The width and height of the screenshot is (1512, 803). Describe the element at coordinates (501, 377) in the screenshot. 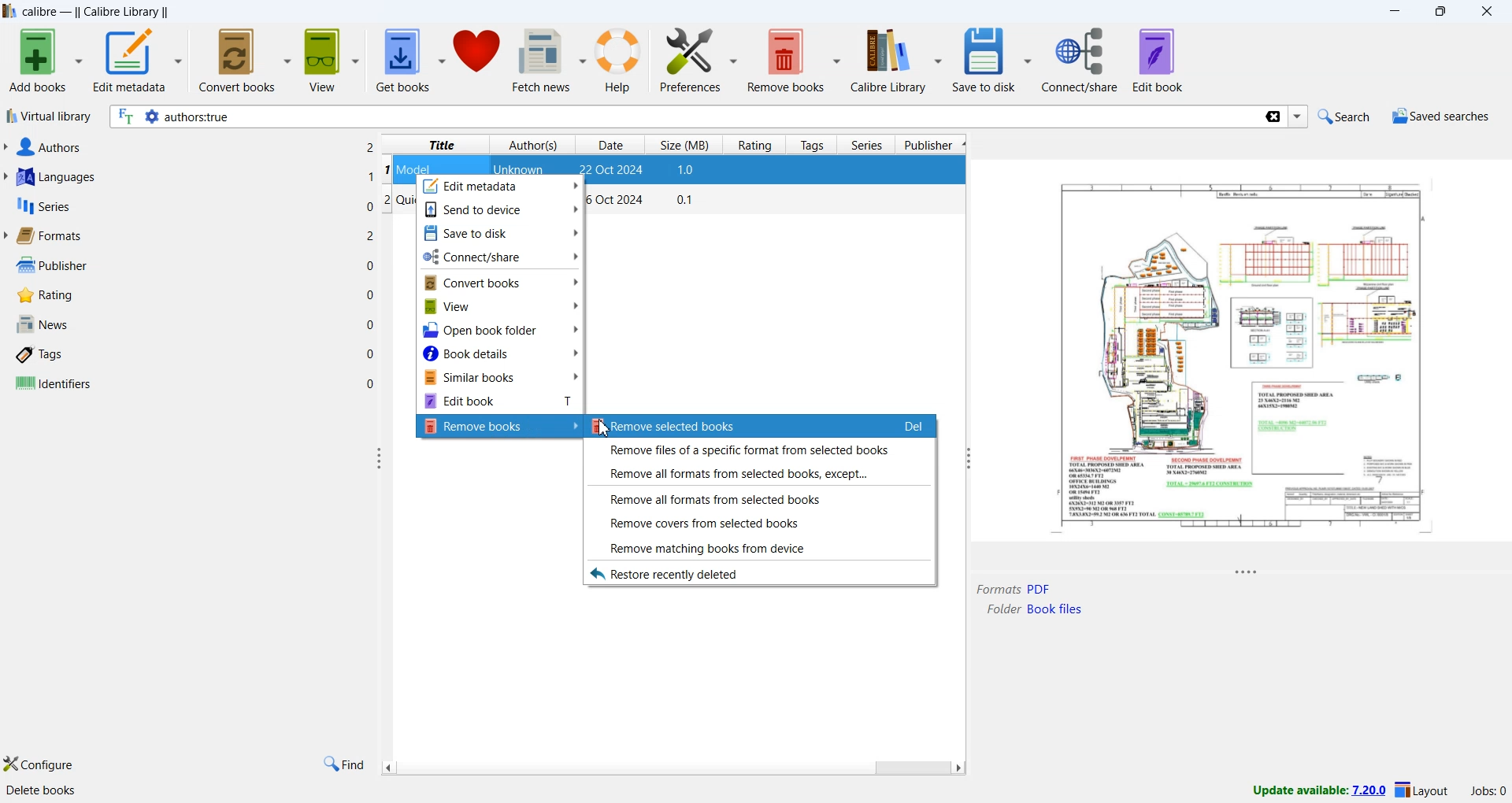

I see `Similar books` at that location.